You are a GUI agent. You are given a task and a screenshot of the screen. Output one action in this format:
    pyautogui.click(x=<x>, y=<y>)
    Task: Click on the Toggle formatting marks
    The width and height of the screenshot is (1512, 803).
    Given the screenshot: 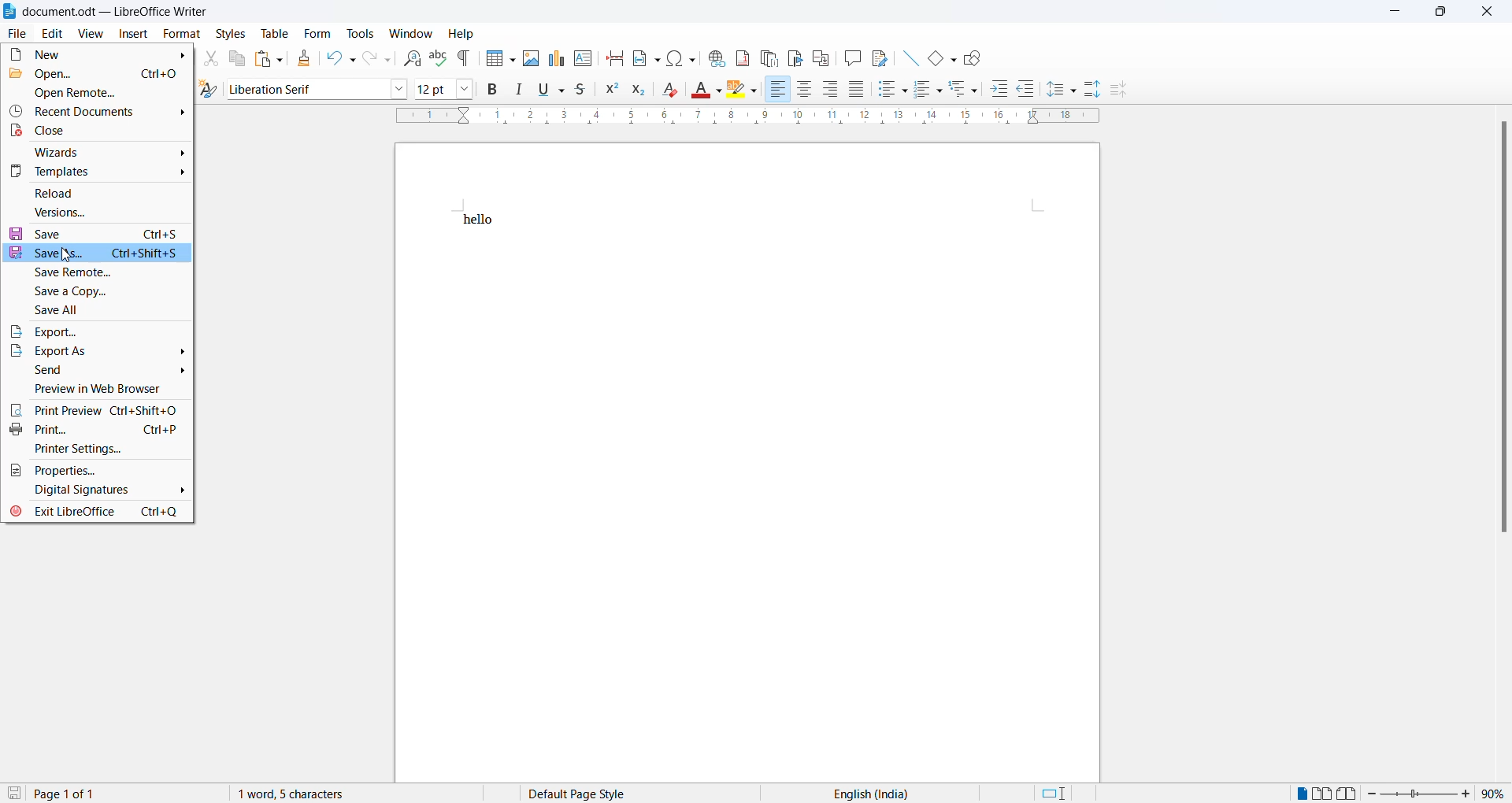 What is the action you would take?
    pyautogui.click(x=466, y=58)
    